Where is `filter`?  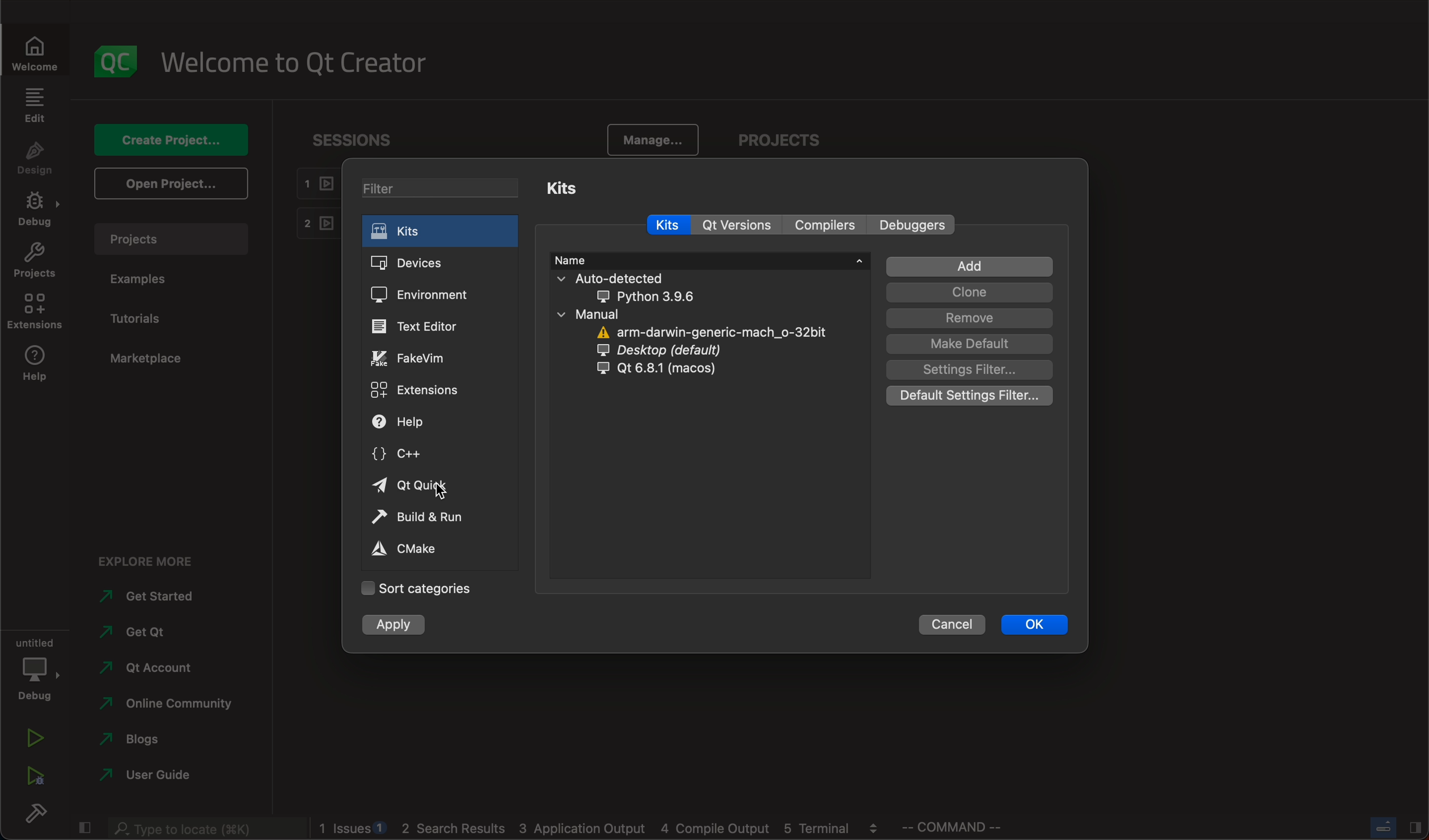 filter is located at coordinates (444, 189).